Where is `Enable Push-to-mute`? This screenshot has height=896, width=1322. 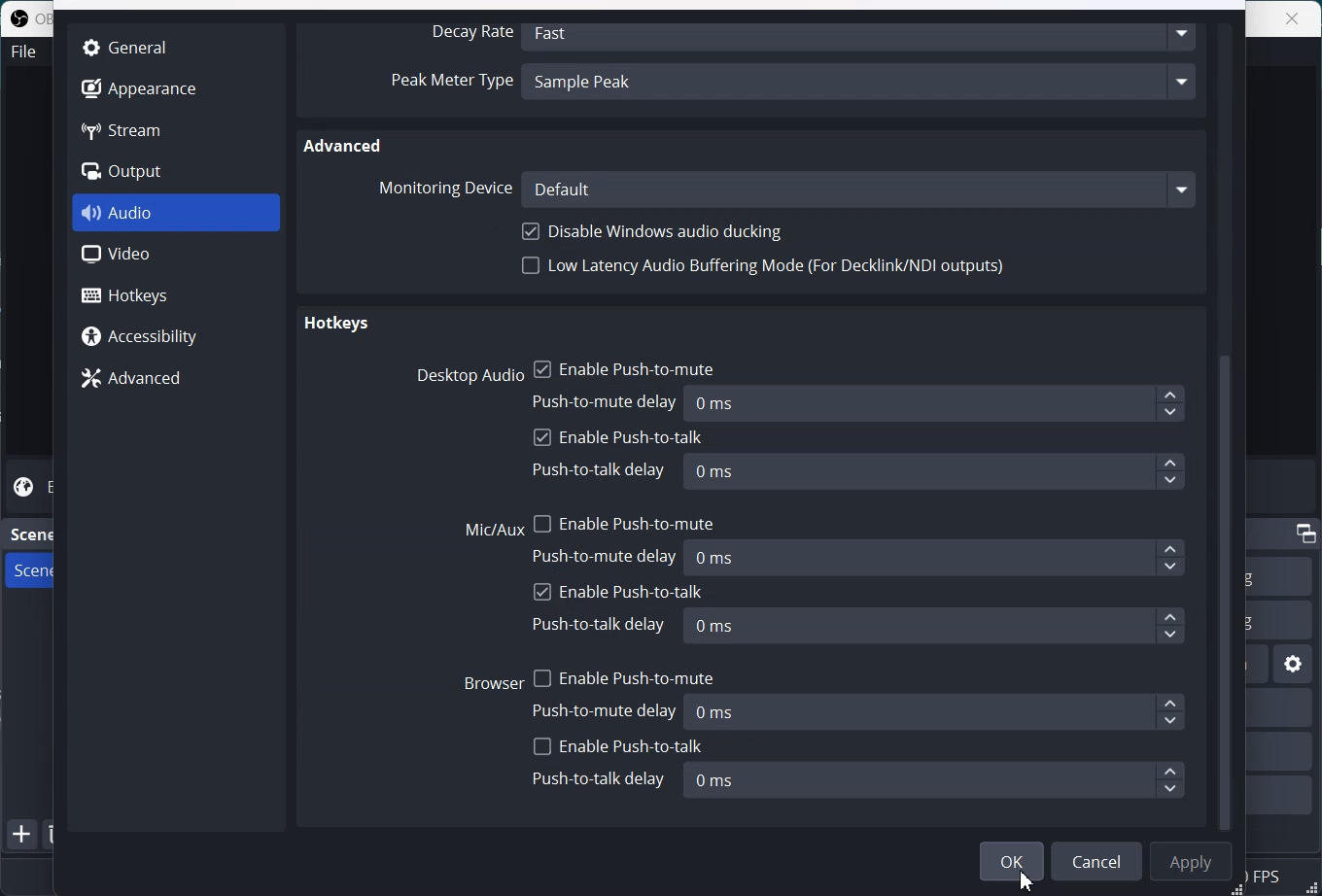
Enable Push-to-mute is located at coordinates (625, 366).